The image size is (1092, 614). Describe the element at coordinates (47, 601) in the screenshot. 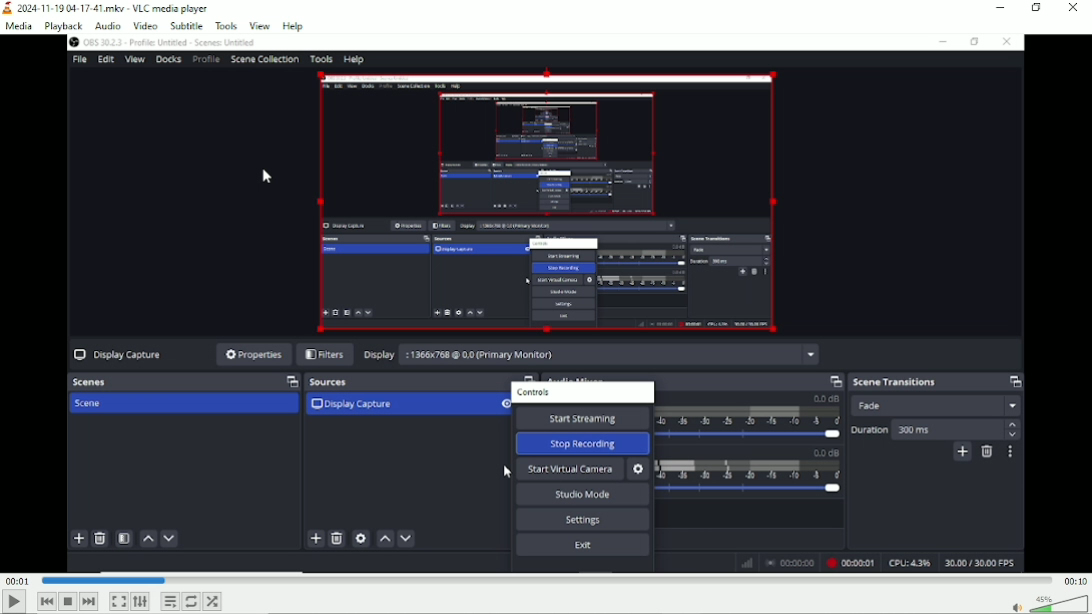

I see `Previous` at that location.